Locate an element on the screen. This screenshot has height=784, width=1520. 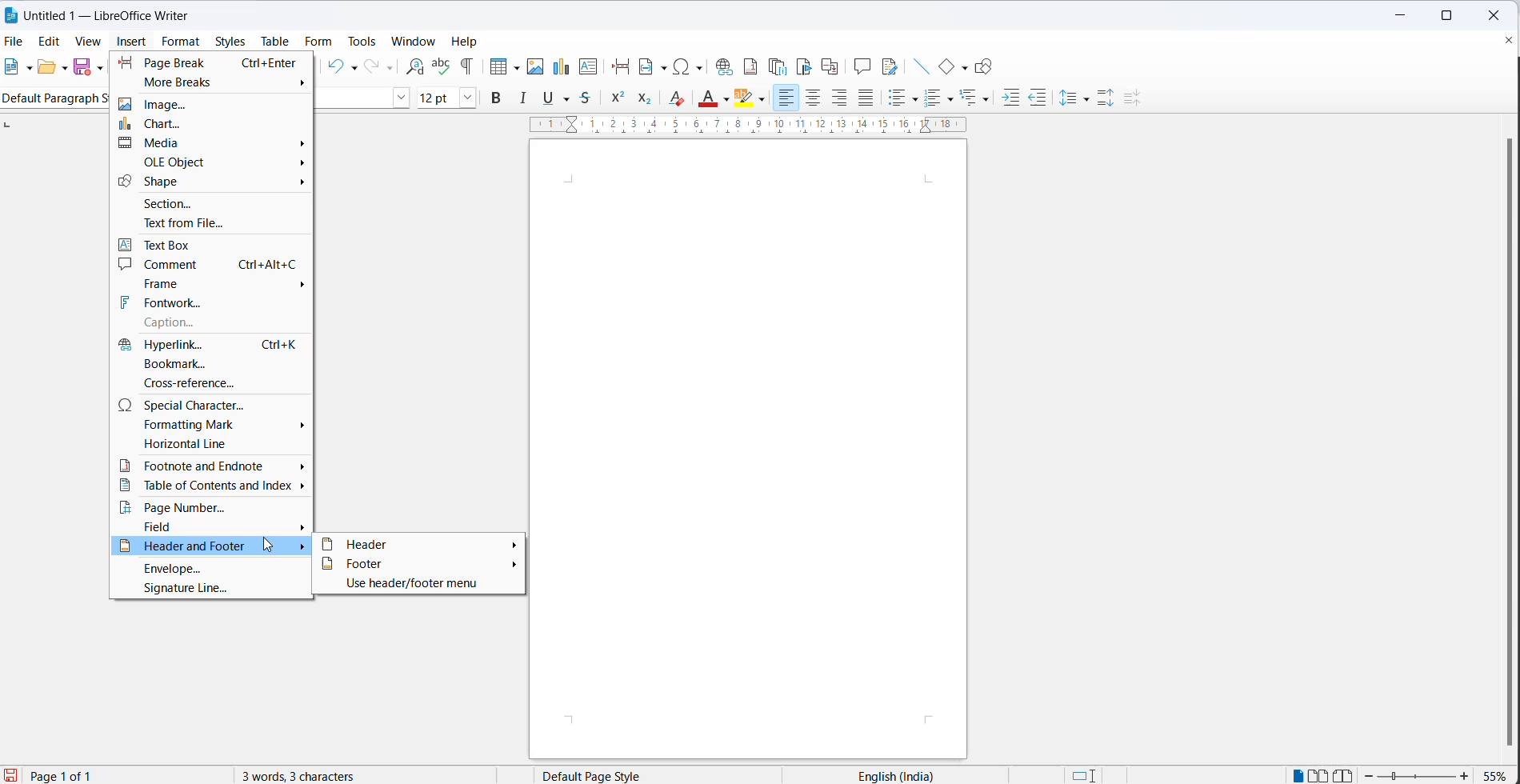
close is located at coordinates (1498, 14).